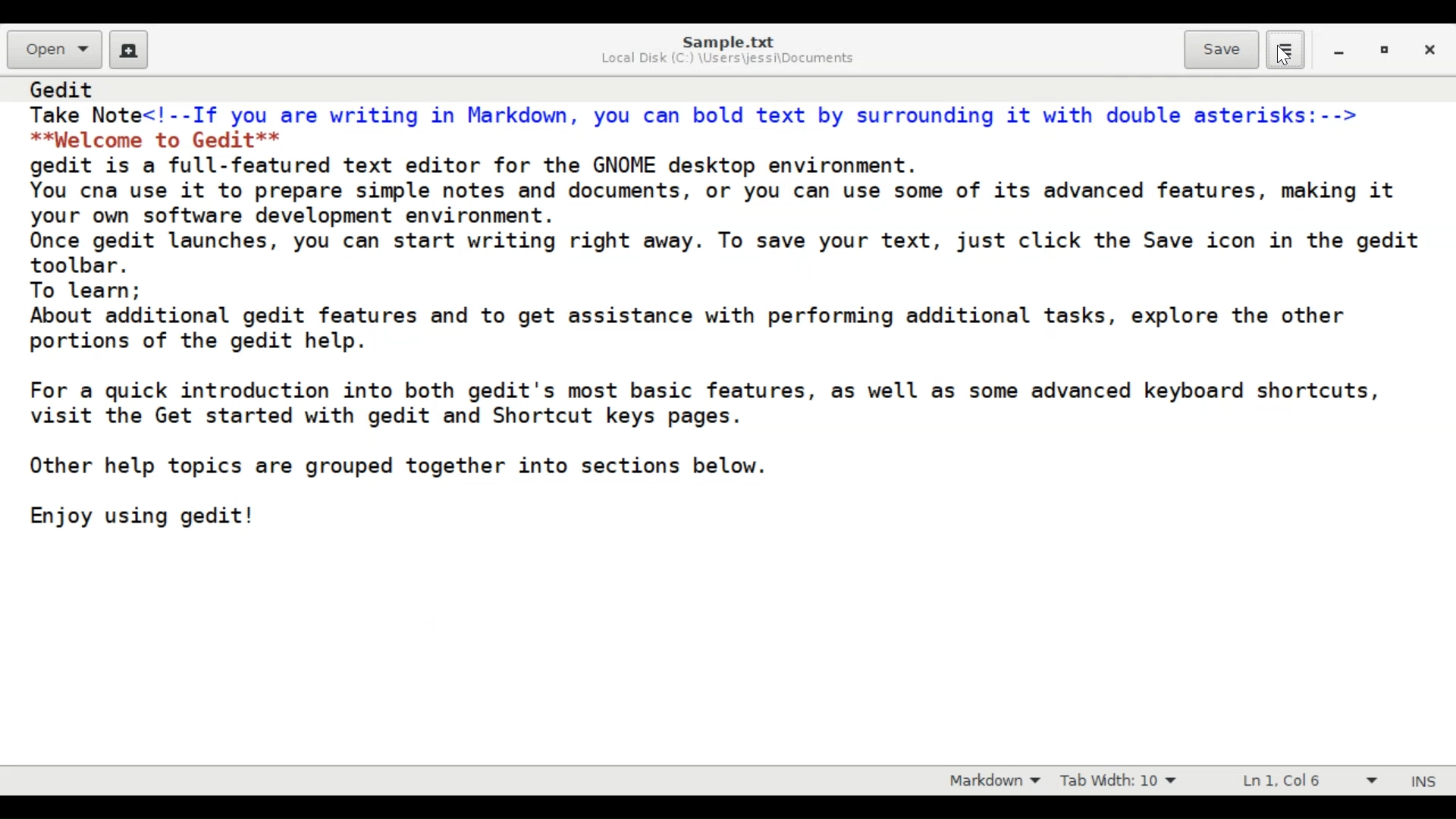 The image size is (1456, 819). I want to click on Application menu, so click(1285, 50).